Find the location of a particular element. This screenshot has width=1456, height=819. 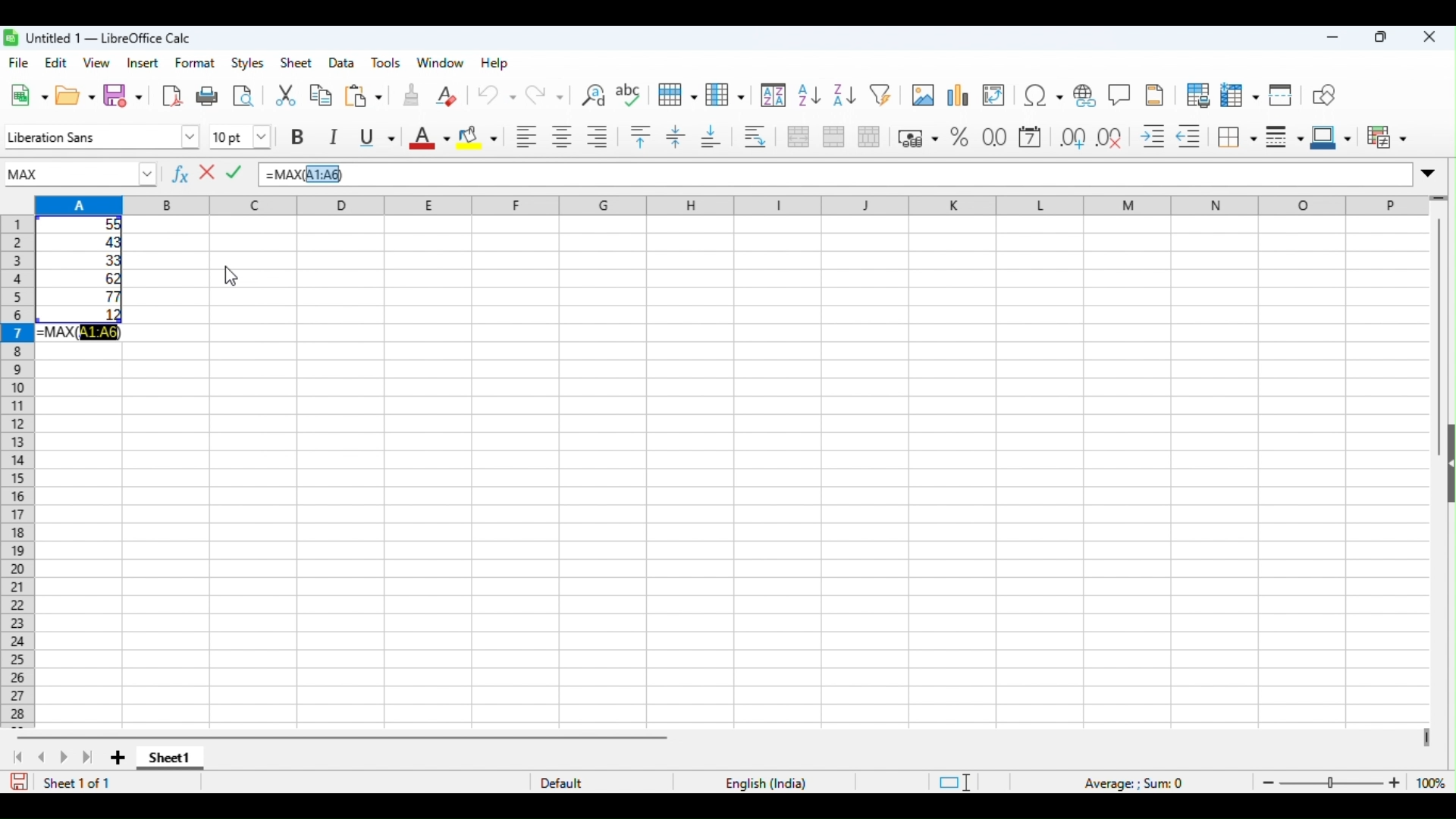

format as date is located at coordinates (1032, 137).